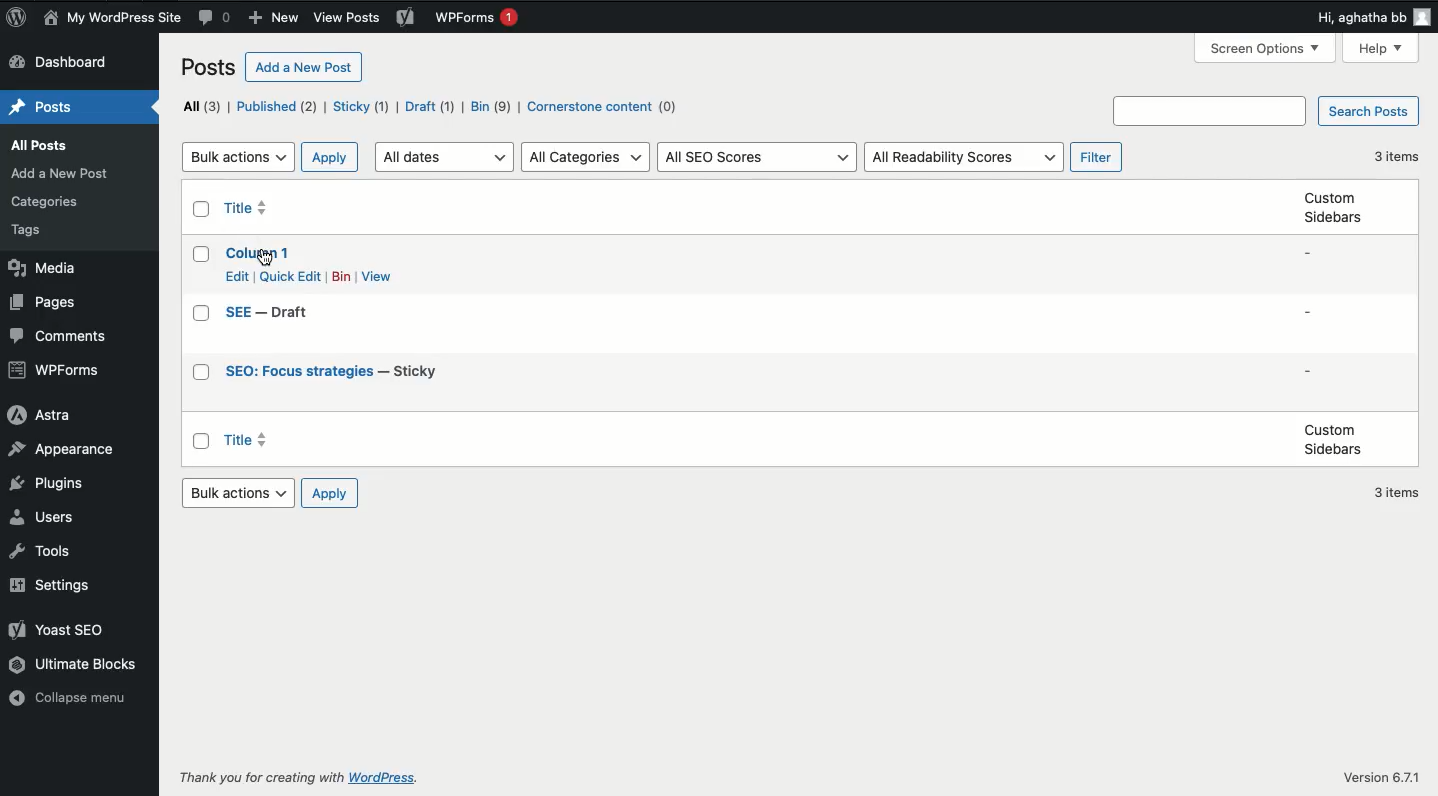 The image size is (1438, 796). What do you see at coordinates (60, 174) in the screenshot?
I see `Add a new post` at bounding box center [60, 174].